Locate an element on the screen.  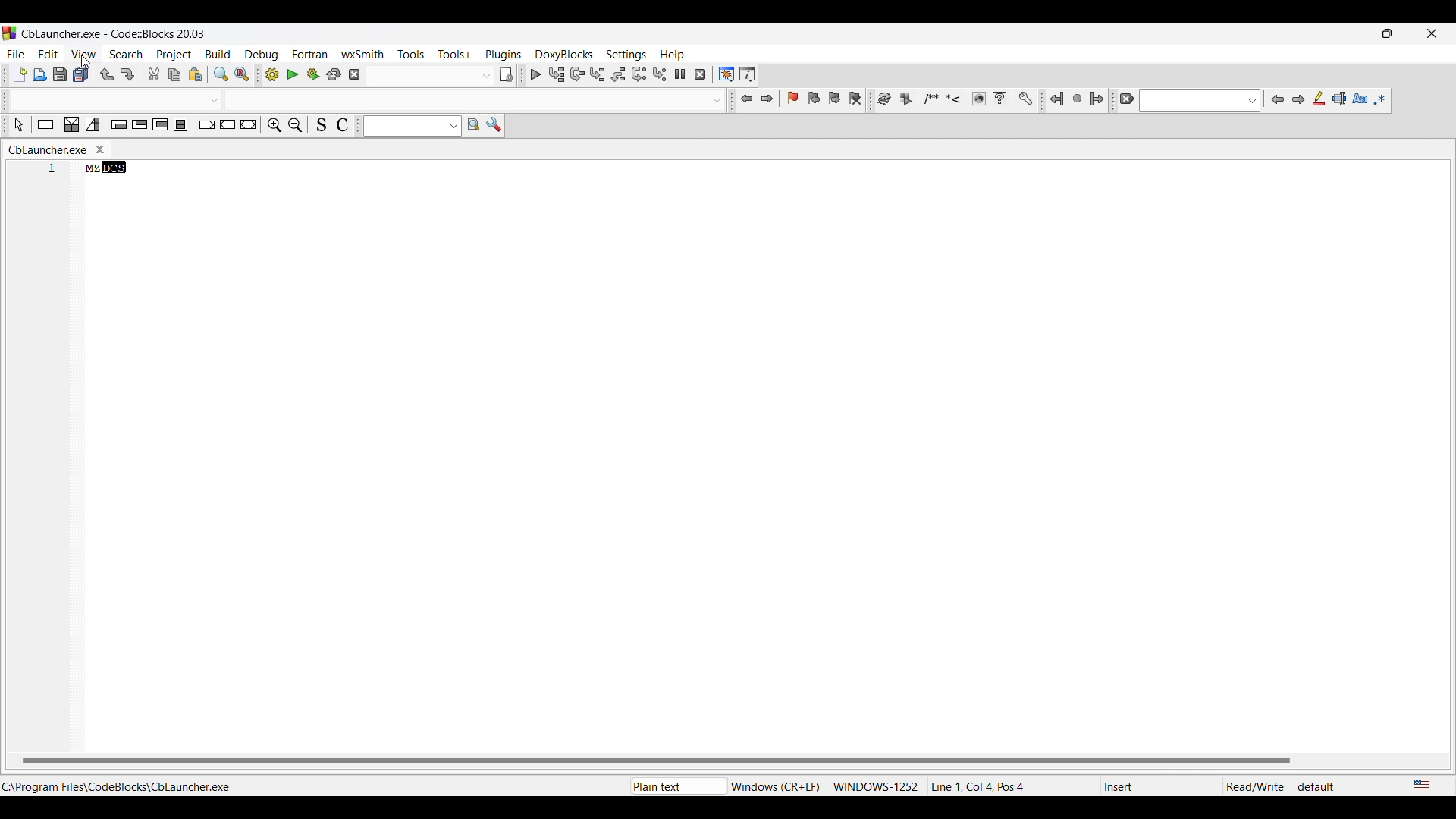
Exit condition loop is located at coordinates (140, 124).